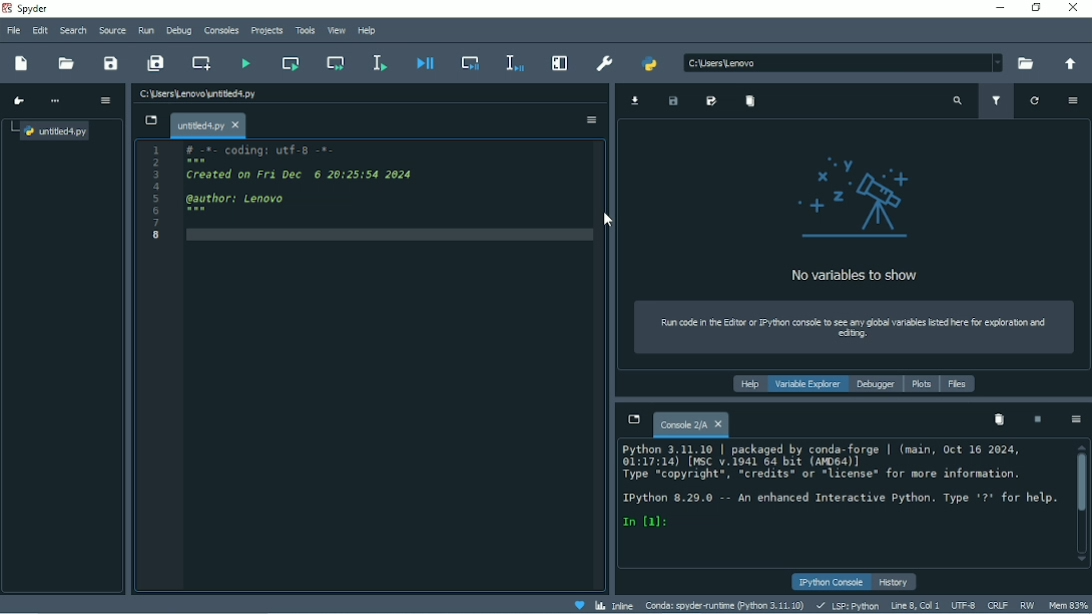  What do you see at coordinates (470, 63) in the screenshot?
I see `Debug cell` at bounding box center [470, 63].